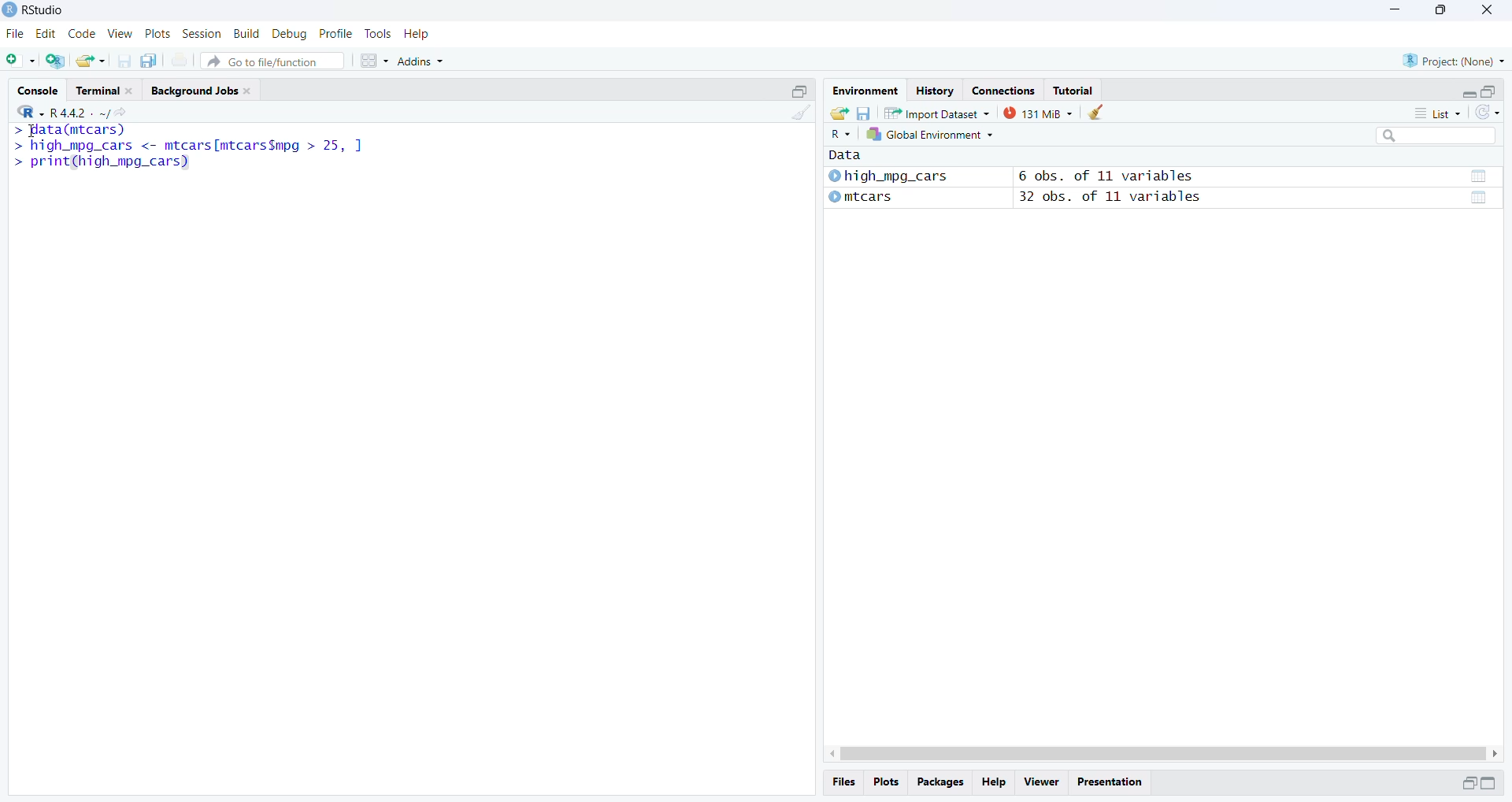  Describe the element at coordinates (17, 33) in the screenshot. I see `File` at that location.